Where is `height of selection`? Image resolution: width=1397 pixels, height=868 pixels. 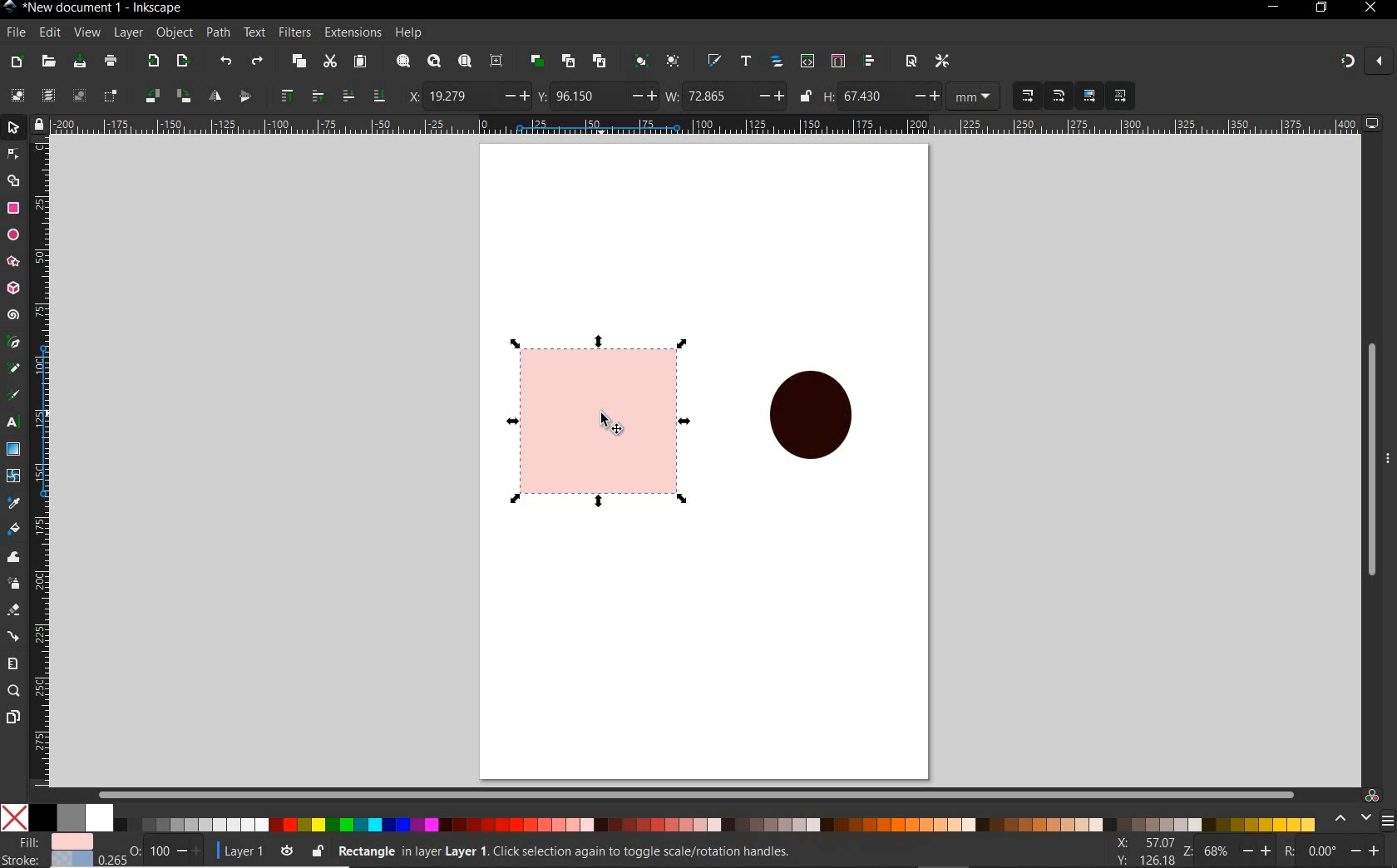
height of selection is located at coordinates (914, 96).